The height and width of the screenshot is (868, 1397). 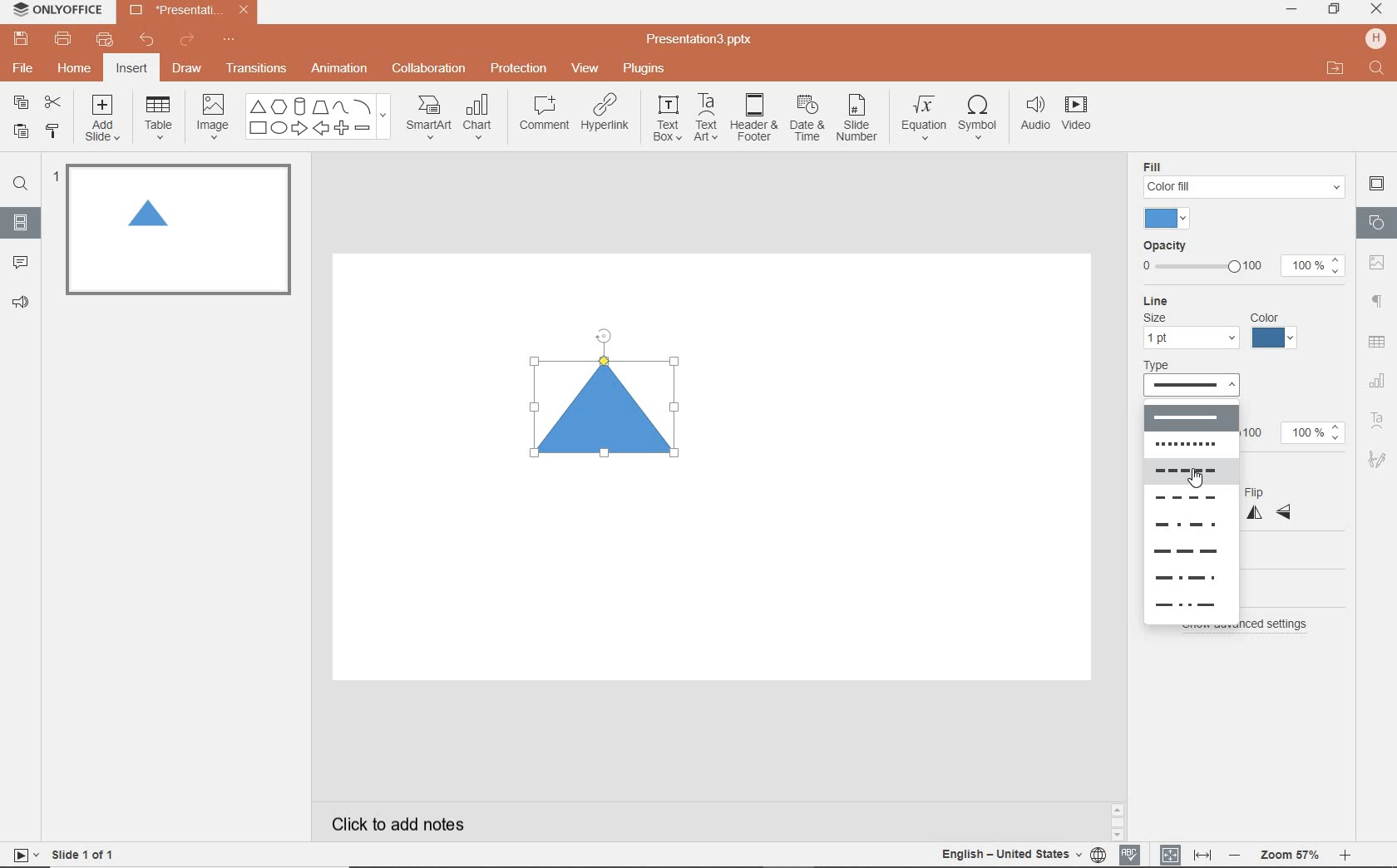 What do you see at coordinates (858, 121) in the screenshot?
I see `SLIDE NUMBER` at bounding box center [858, 121].